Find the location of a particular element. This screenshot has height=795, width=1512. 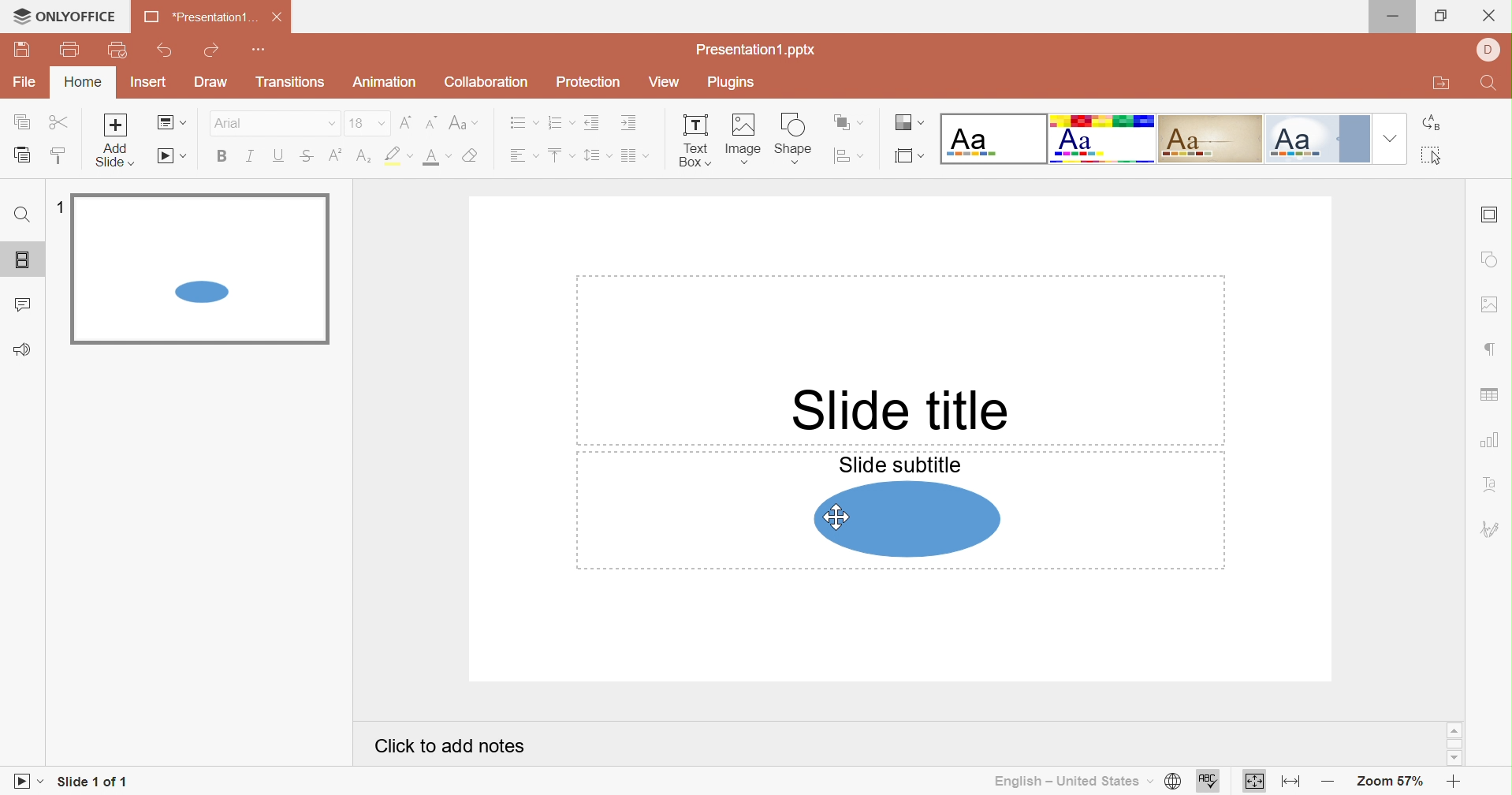

Replace is located at coordinates (1431, 124).